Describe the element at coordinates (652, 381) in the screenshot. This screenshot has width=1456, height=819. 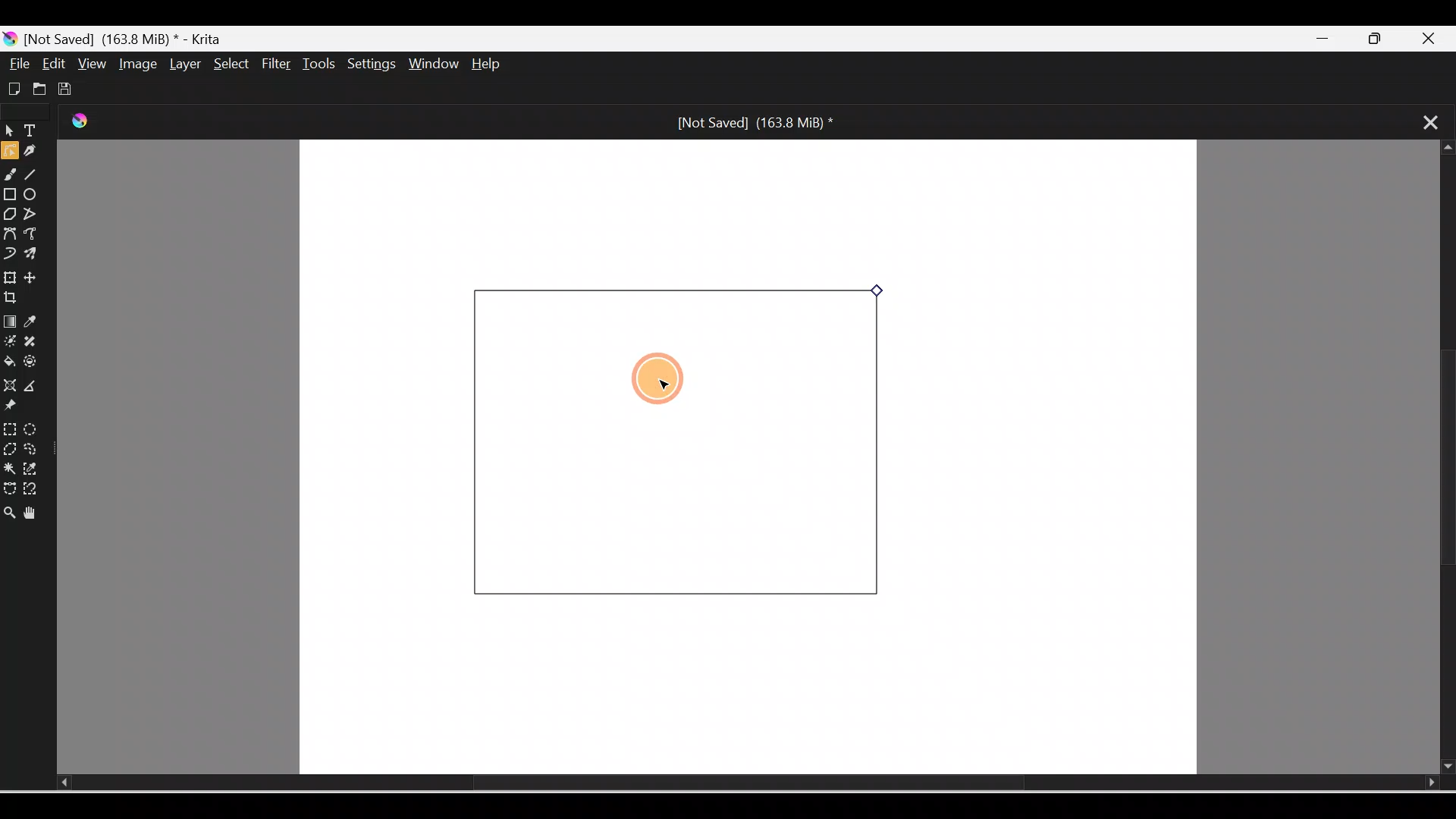
I see `Cursor on rectangle` at that location.